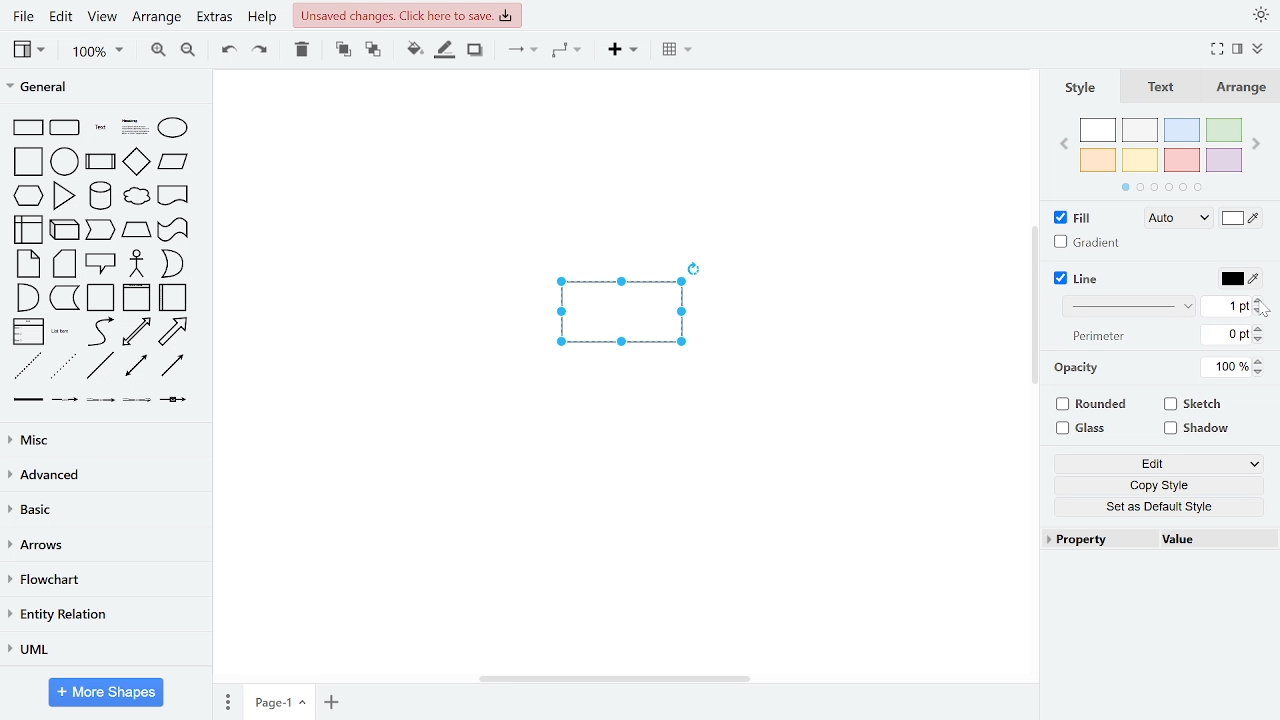  I want to click on next, so click(1254, 145).